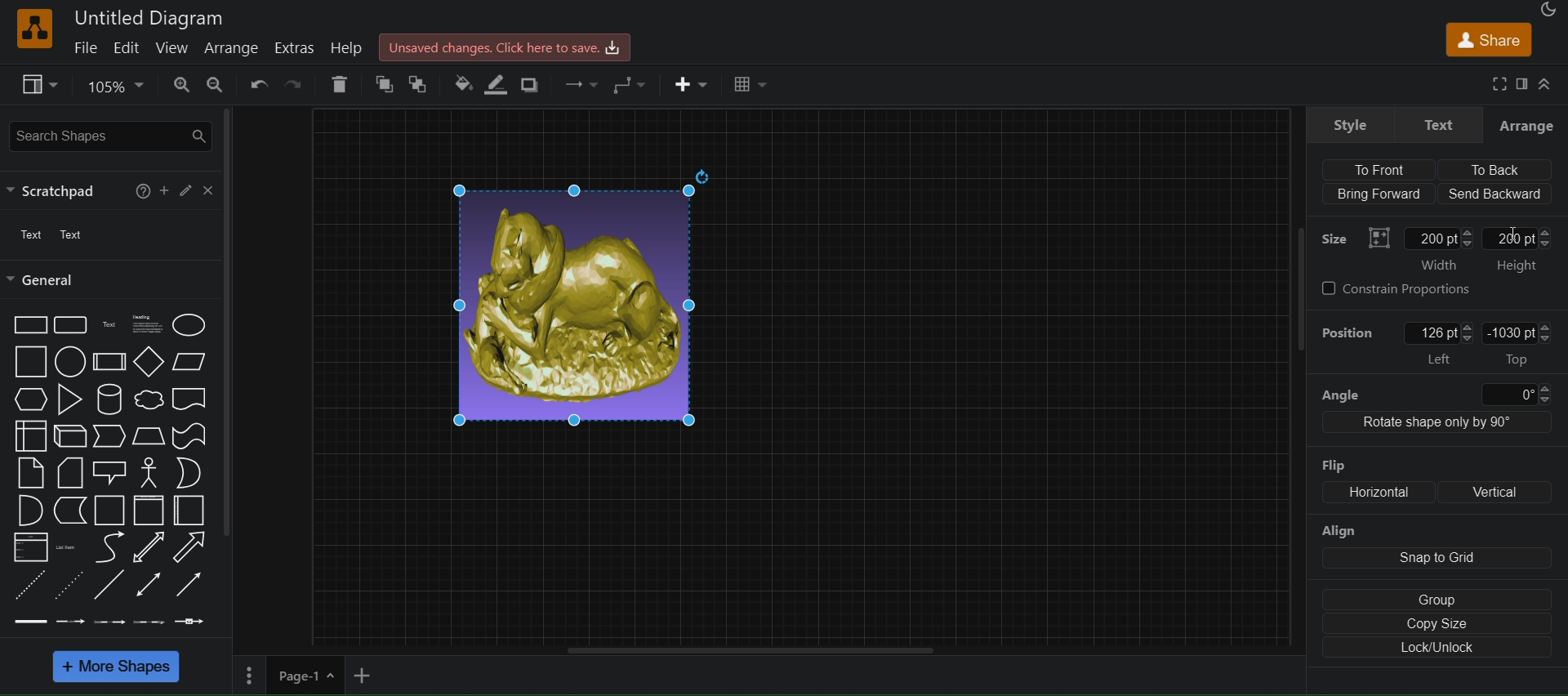  I want to click on Table, so click(748, 86).